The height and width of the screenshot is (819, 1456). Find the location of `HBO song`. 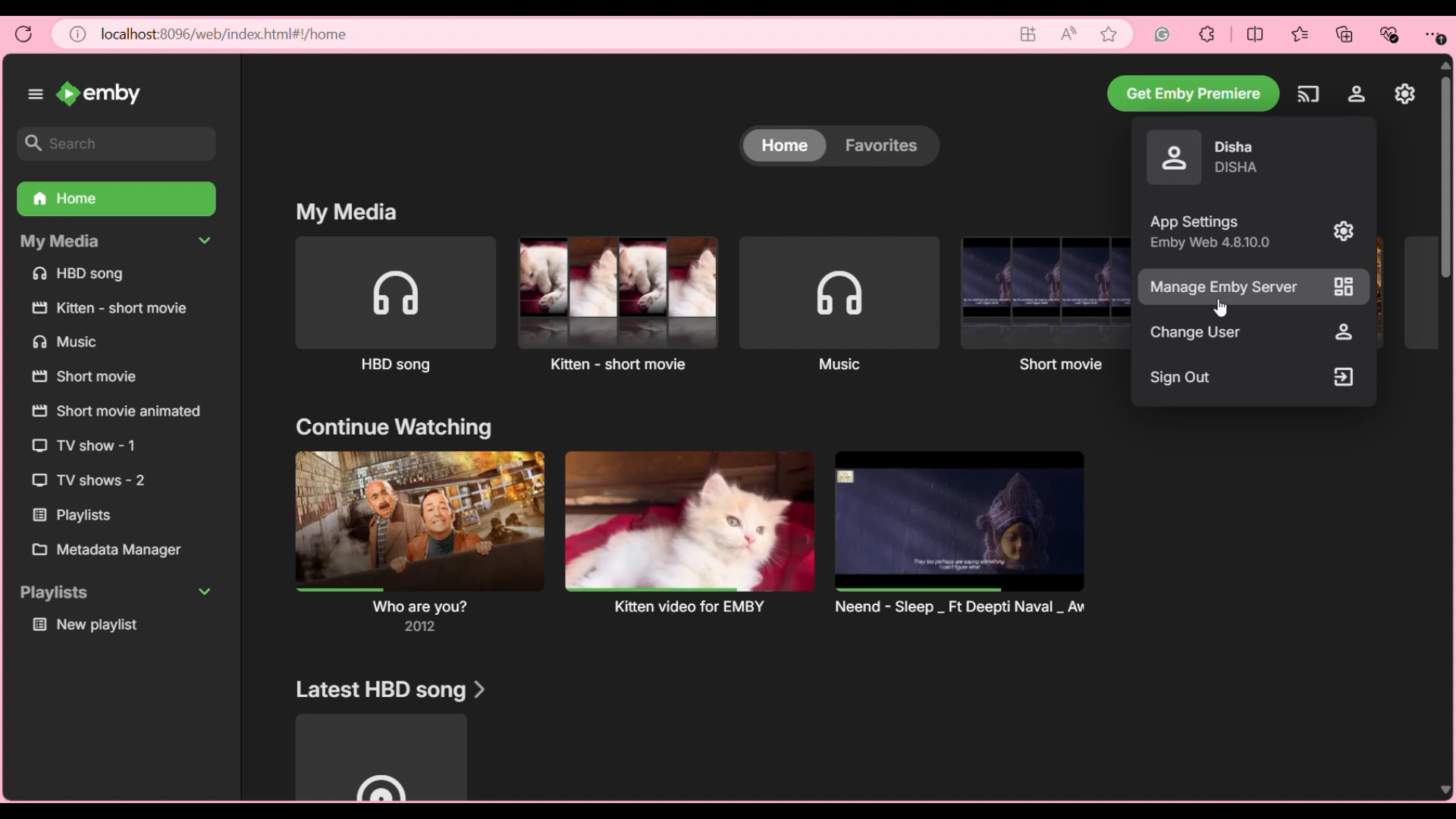

HBO song is located at coordinates (84, 275).